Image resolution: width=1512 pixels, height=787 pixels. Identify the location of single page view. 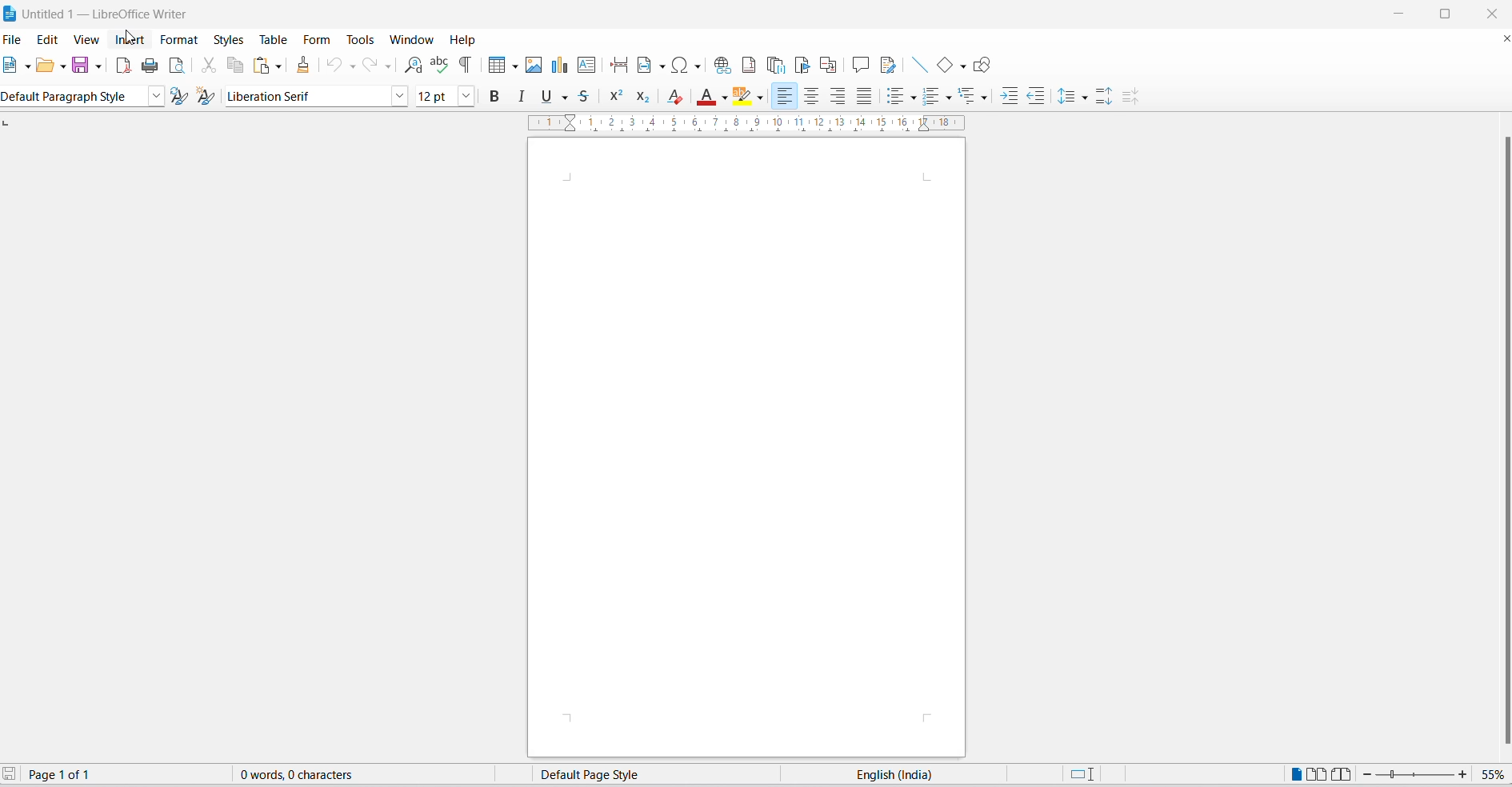
(1292, 774).